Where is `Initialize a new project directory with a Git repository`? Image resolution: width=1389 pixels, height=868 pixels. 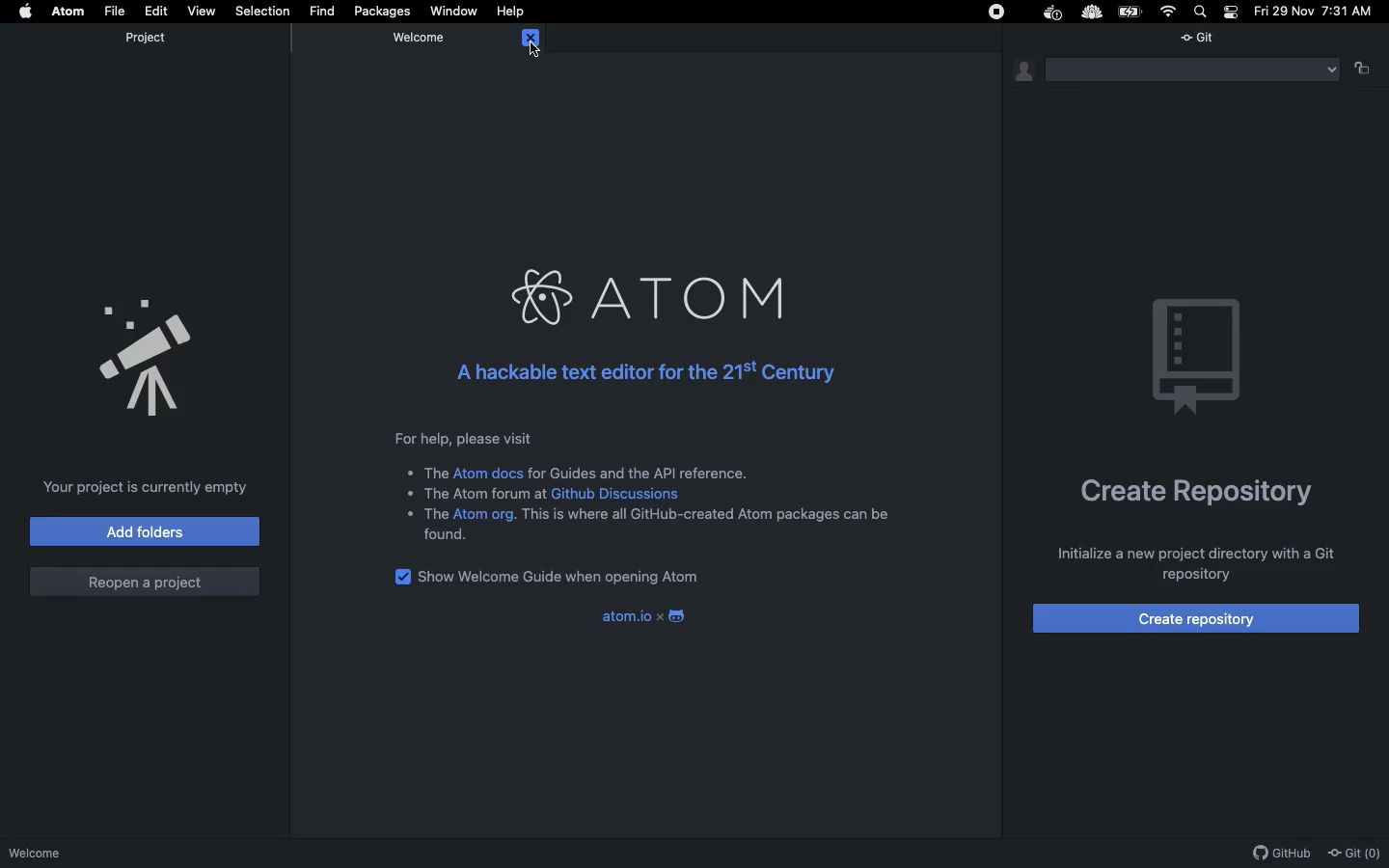 Initialize a new project directory with a Git repository is located at coordinates (1186, 561).